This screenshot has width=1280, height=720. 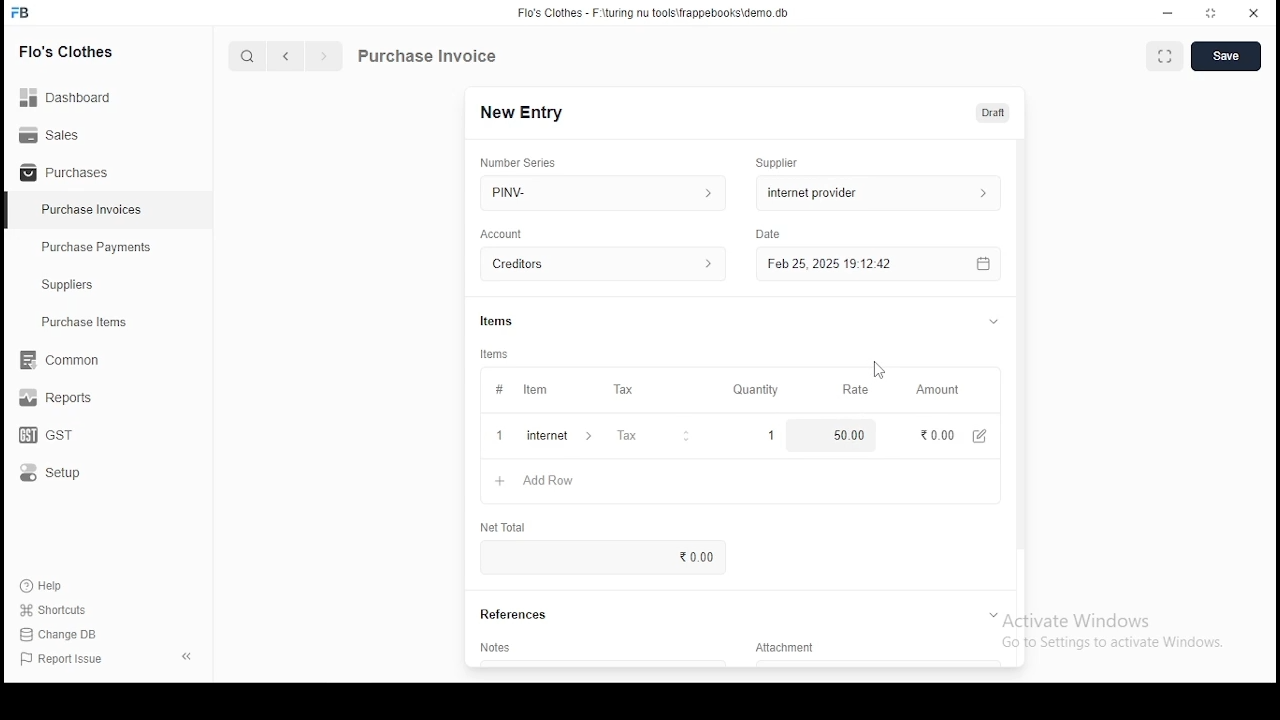 I want to click on supplier, so click(x=873, y=192).